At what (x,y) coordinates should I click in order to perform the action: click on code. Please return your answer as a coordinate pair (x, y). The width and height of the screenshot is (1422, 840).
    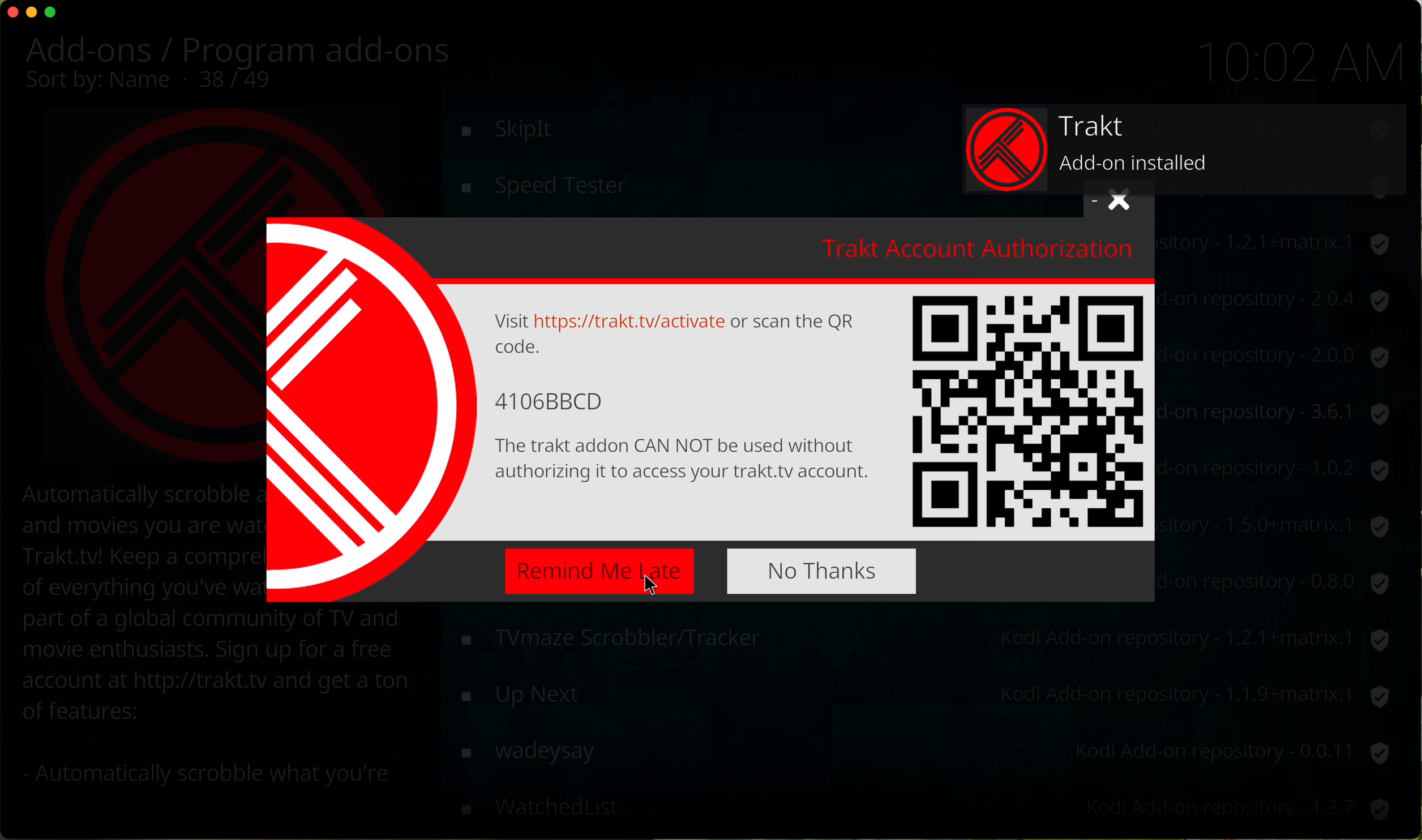
    Looking at the image, I should click on (551, 400).